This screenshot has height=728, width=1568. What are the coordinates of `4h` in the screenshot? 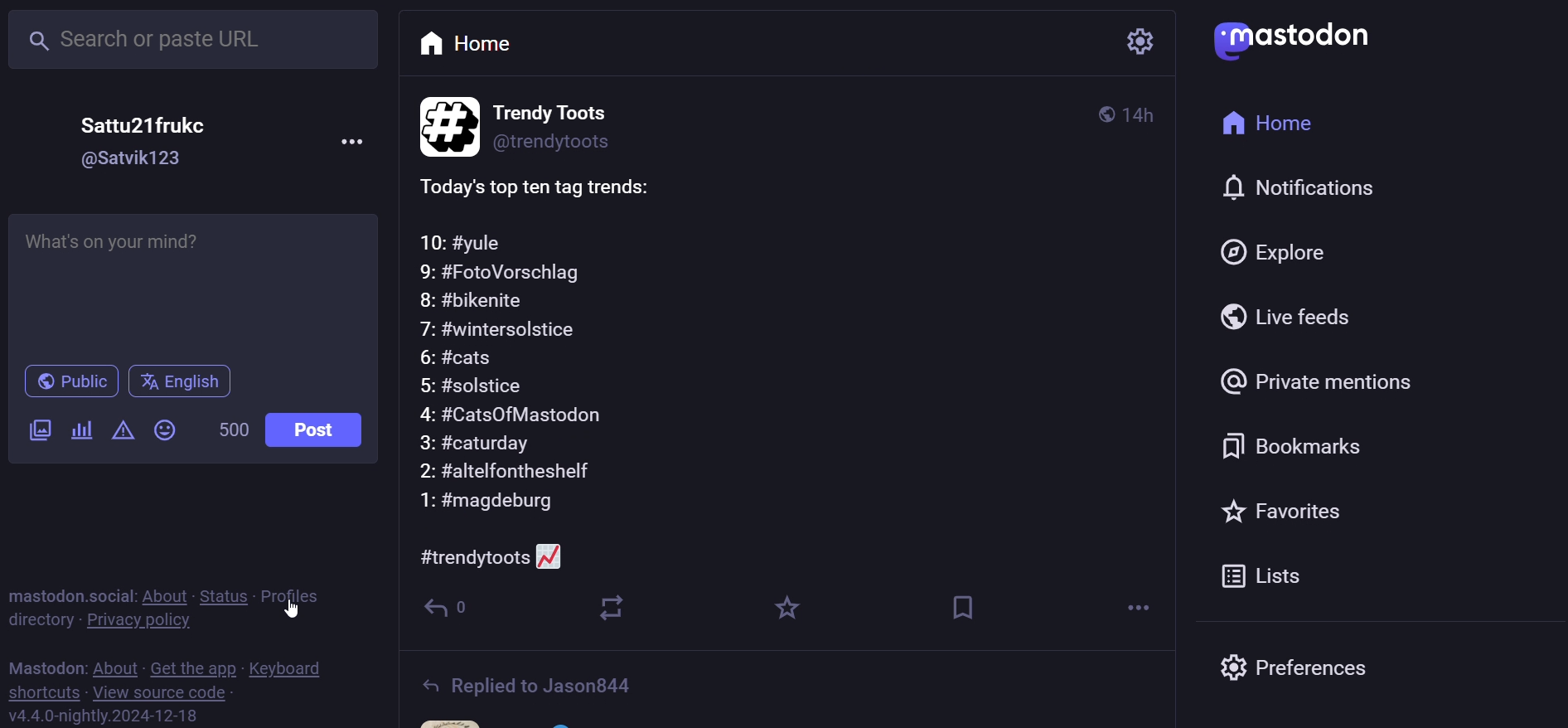 It's located at (1147, 113).